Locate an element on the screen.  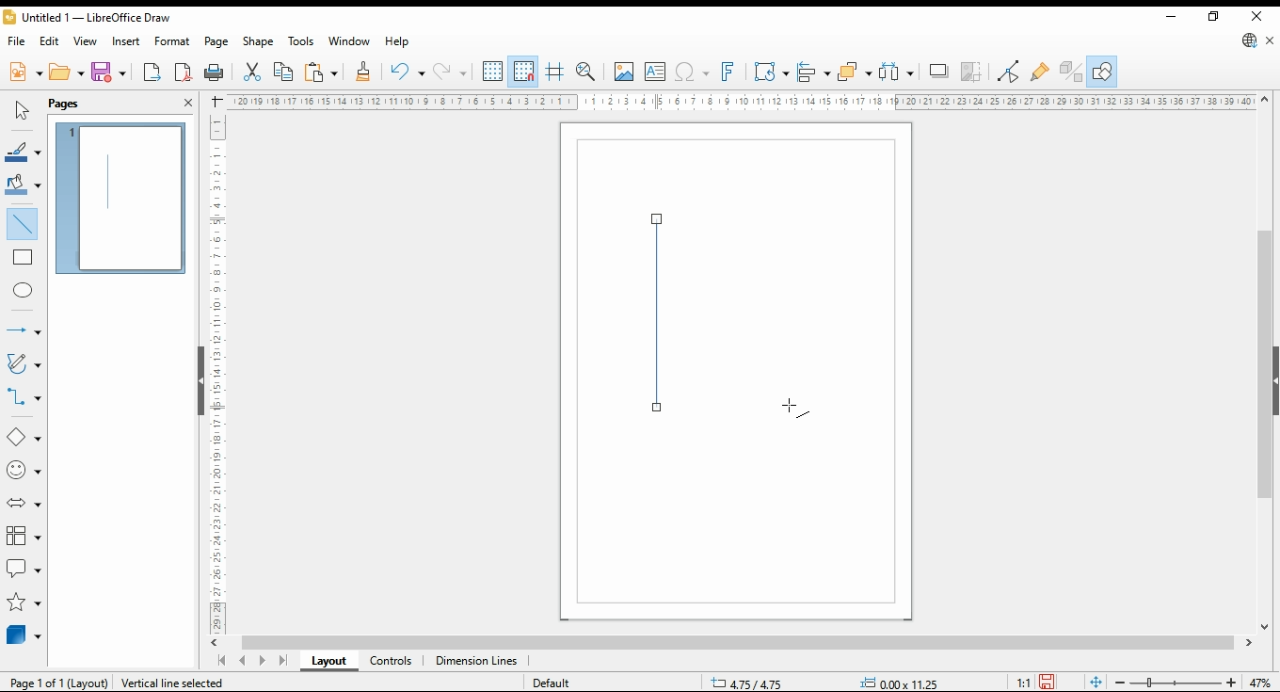
fit page to current window is located at coordinates (1096, 682).